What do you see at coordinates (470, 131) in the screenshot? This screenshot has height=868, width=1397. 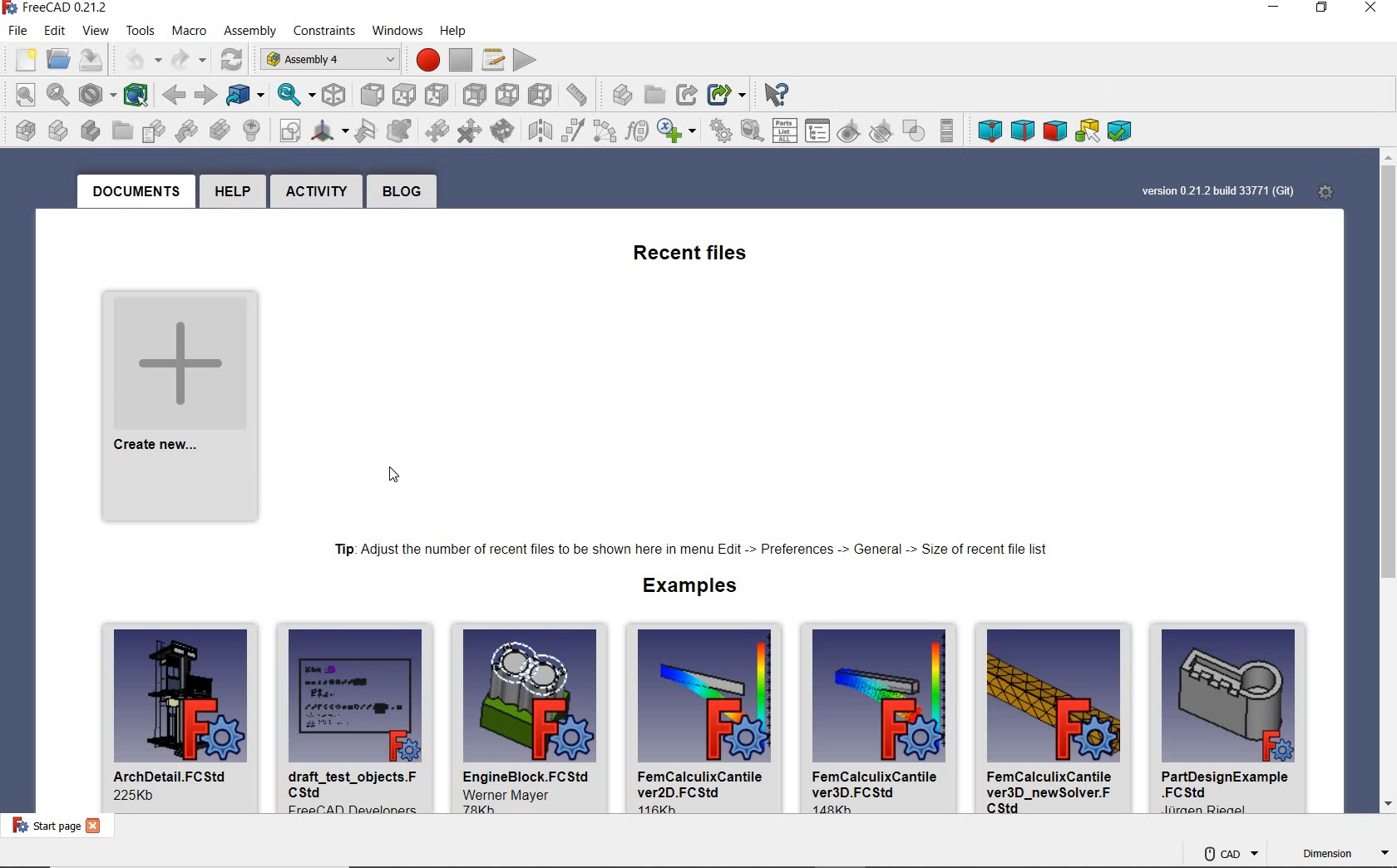 I see `release from attachment` at bounding box center [470, 131].